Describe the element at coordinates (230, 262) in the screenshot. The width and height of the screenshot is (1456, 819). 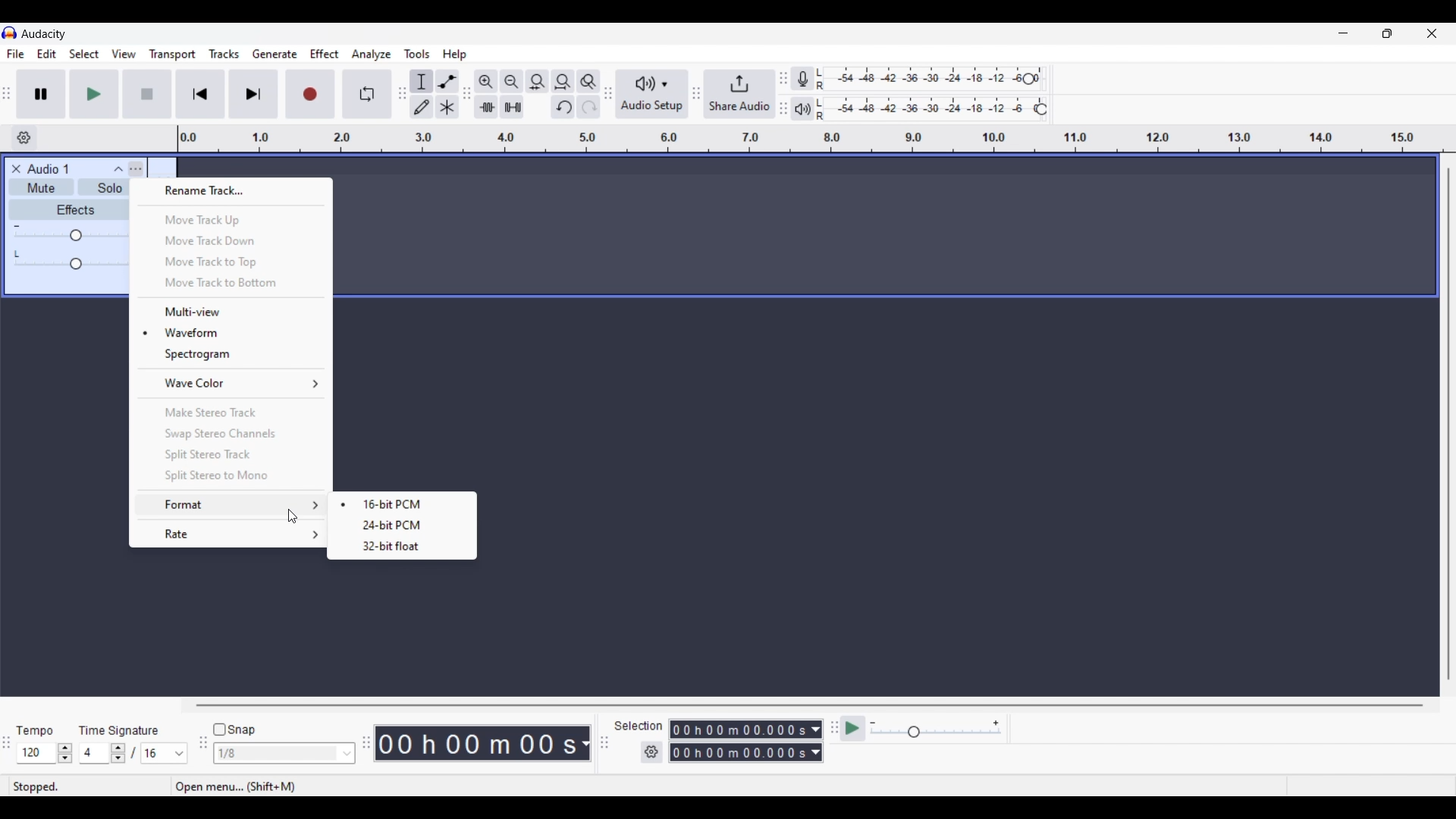
I see `Move track to top` at that location.